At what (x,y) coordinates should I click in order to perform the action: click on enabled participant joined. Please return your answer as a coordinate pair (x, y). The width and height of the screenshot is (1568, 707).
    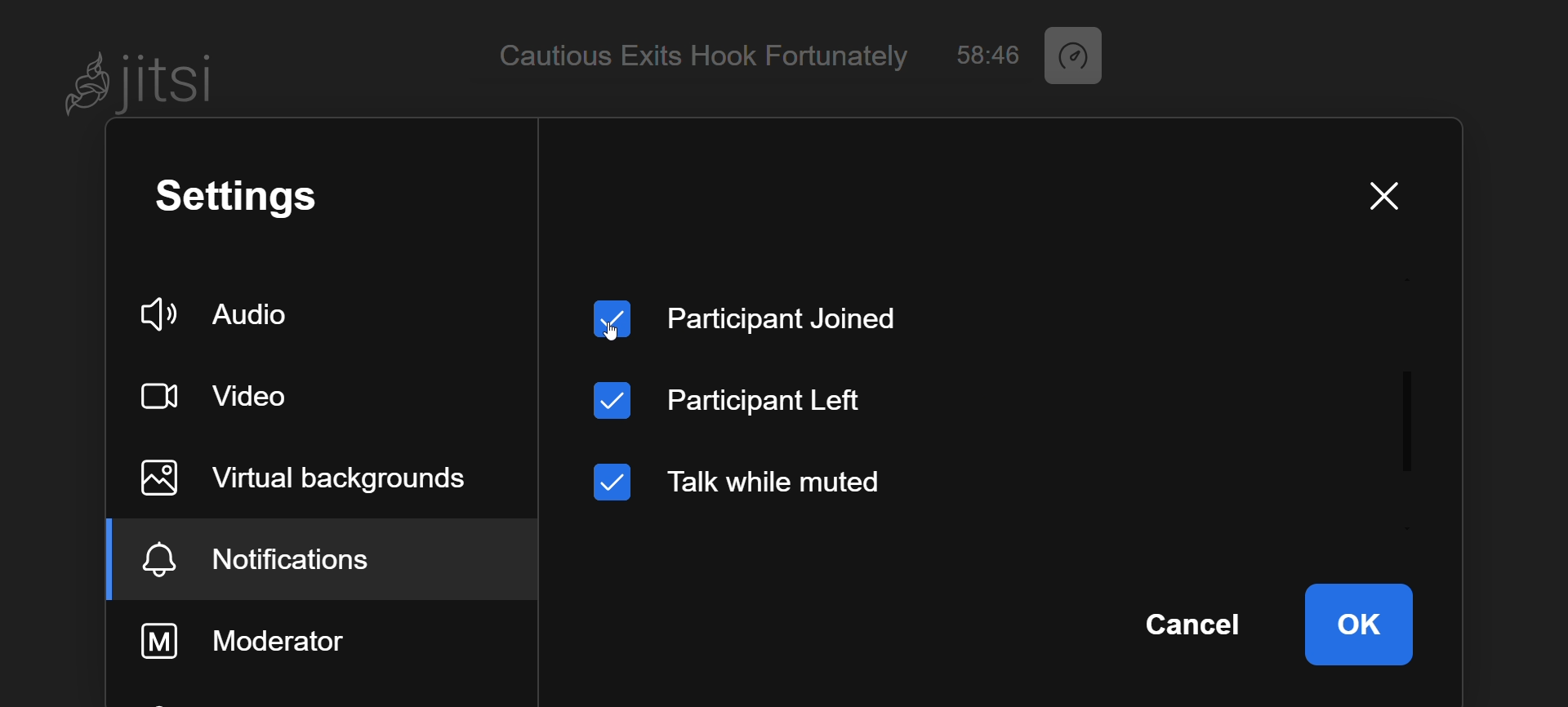
    Looking at the image, I should click on (753, 313).